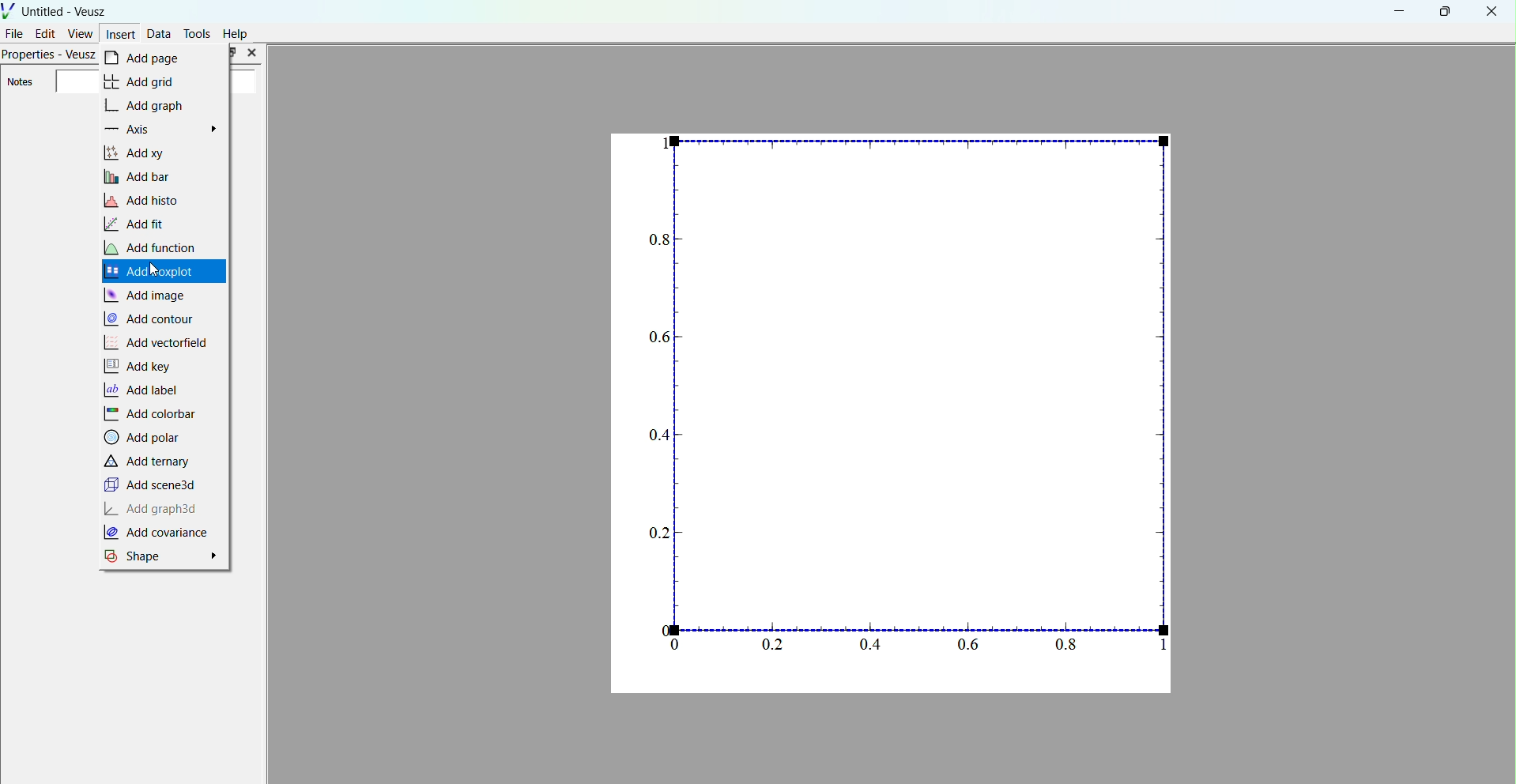 The width and height of the screenshot is (1516, 784). What do you see at coordinates (1491, 13) in the screenshot?
I see `close` at bounding box center [1491, 13].